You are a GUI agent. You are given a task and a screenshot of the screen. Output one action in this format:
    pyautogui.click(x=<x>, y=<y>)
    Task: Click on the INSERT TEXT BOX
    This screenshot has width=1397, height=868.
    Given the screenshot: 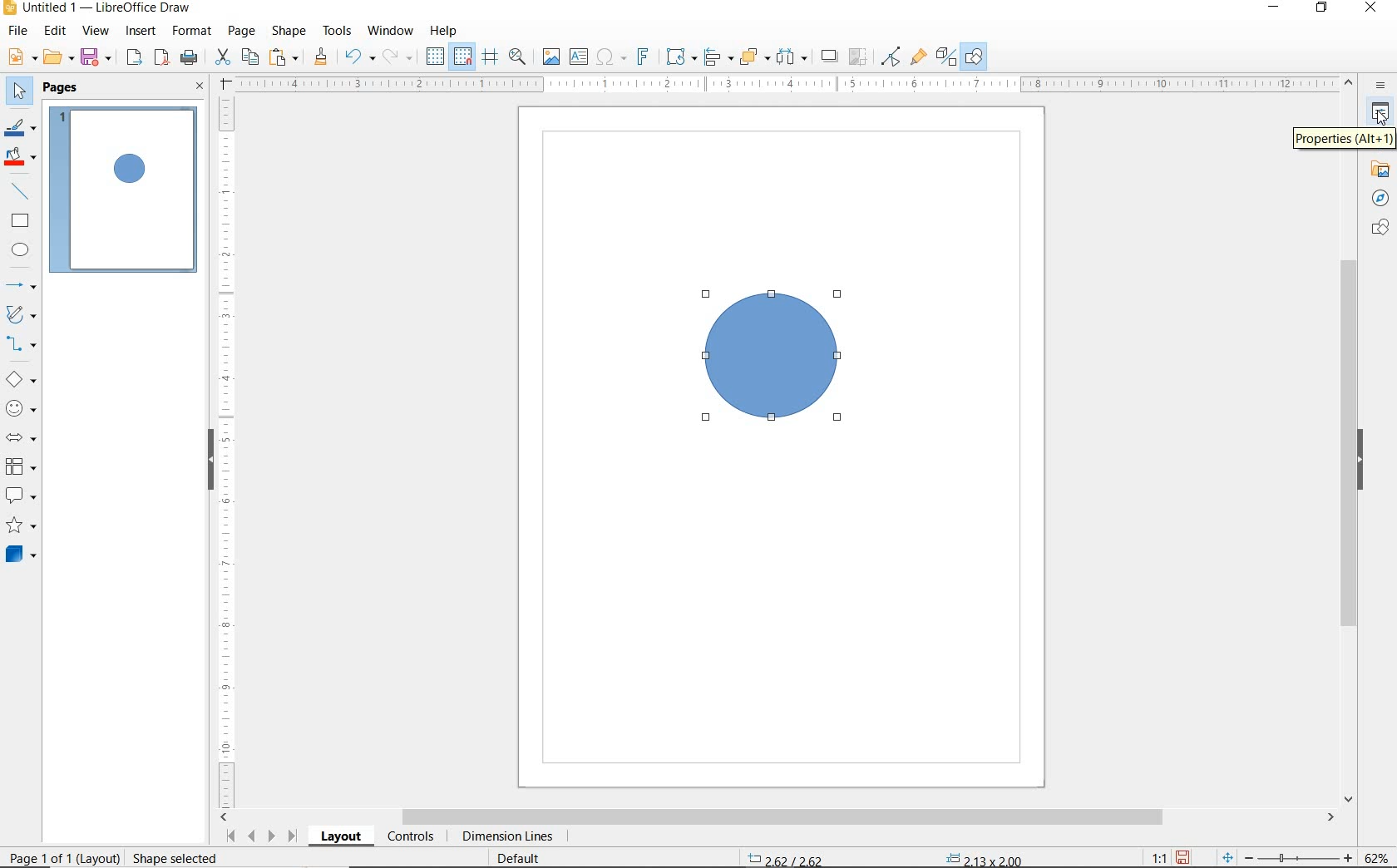 What is the action you would take?
    pyautogui.click(x=578, y=57)
    